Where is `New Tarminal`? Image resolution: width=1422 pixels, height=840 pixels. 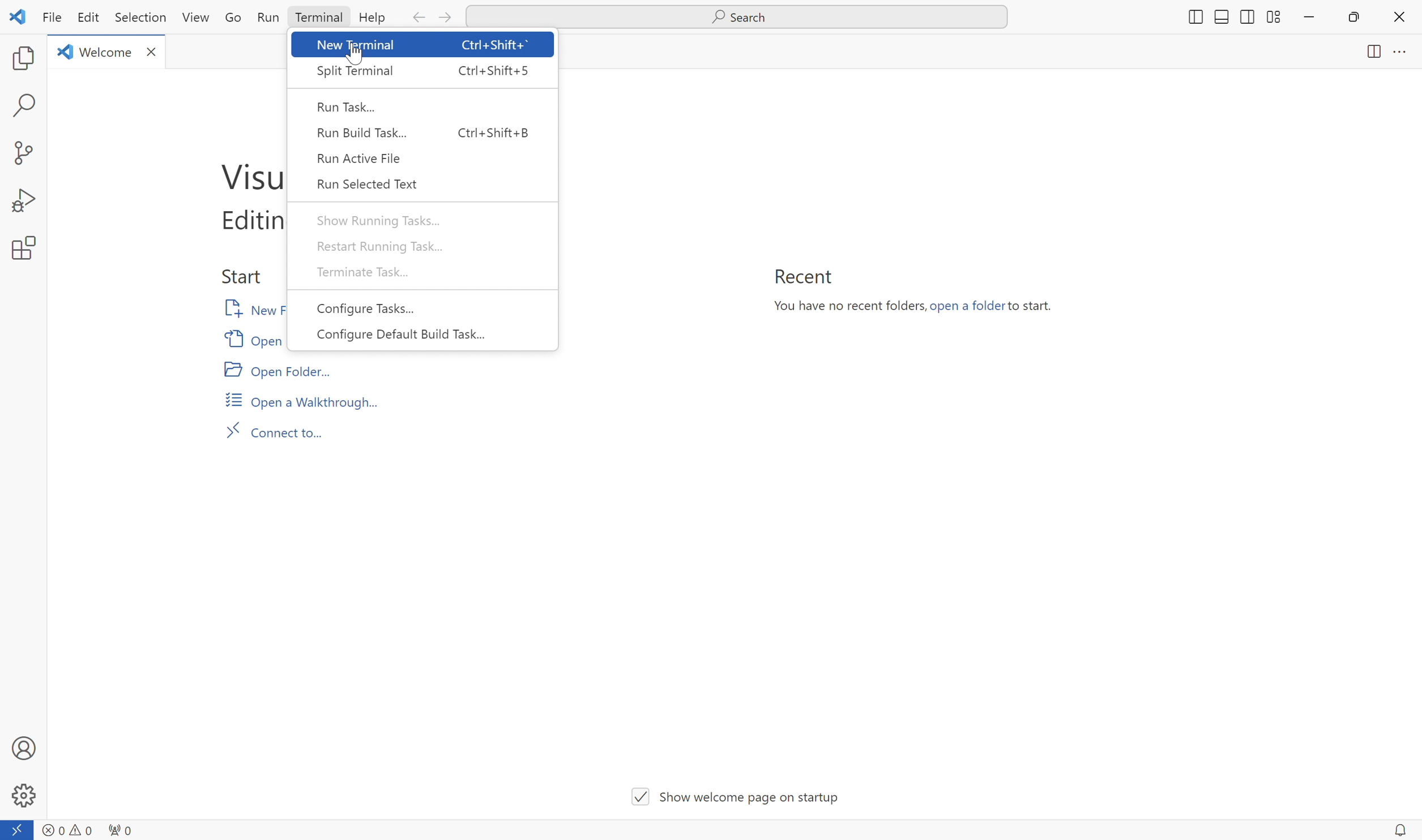
New Tarminal is located at coordinates (423, 45).